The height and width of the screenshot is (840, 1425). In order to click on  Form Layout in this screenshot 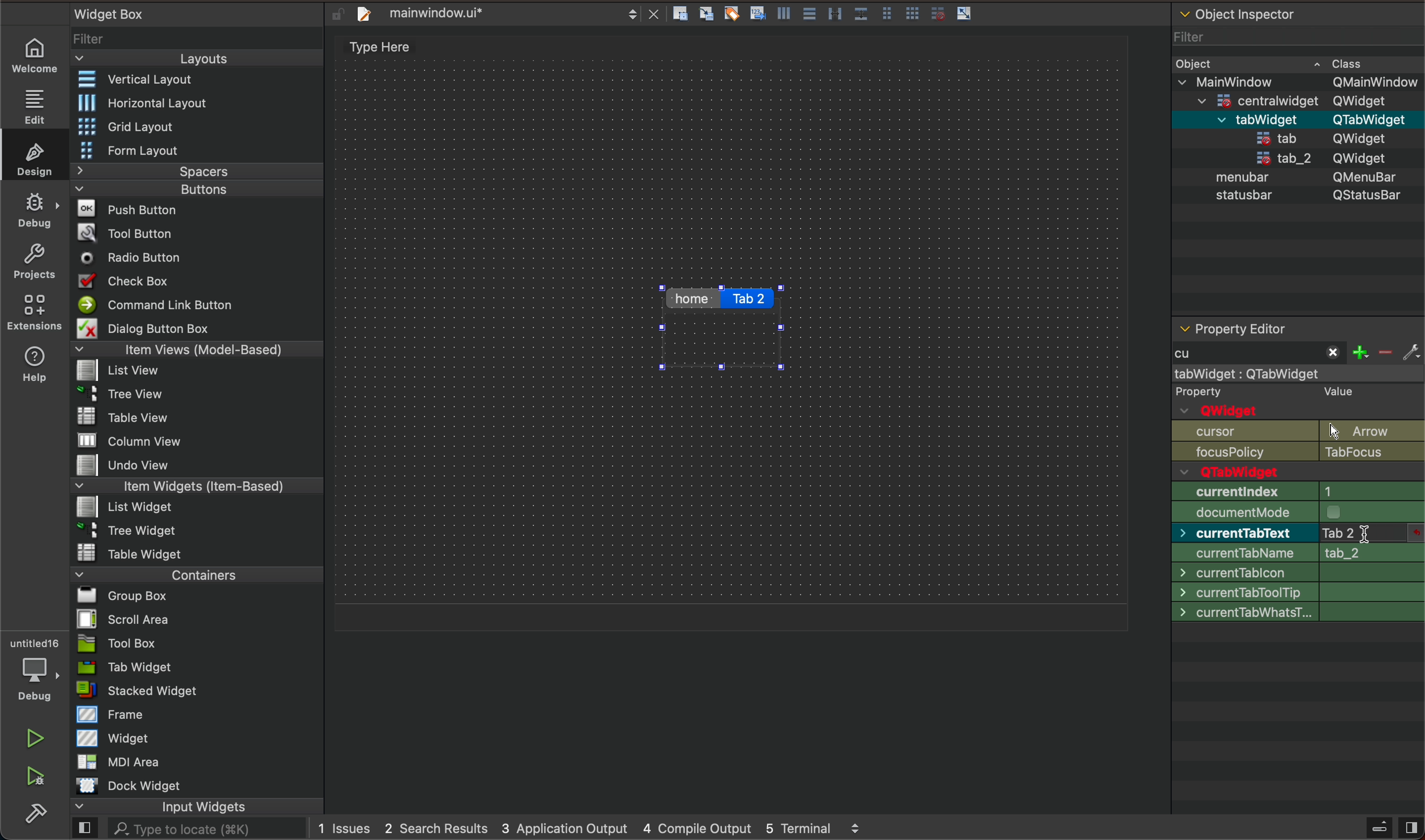, I will do `click(131, 151)`.